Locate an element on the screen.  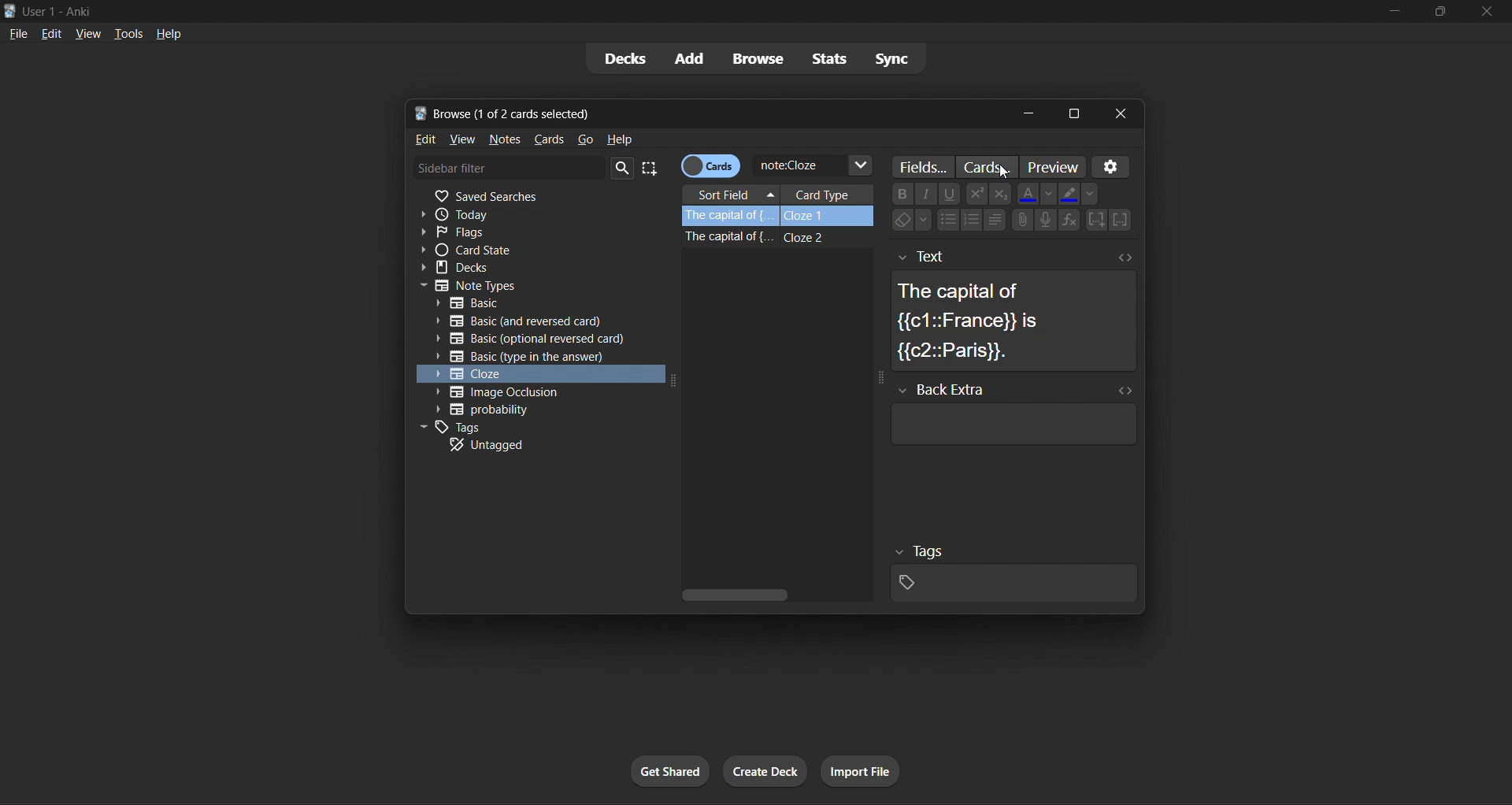
basic (optional reversed card) is located at coordinates (530, 339).